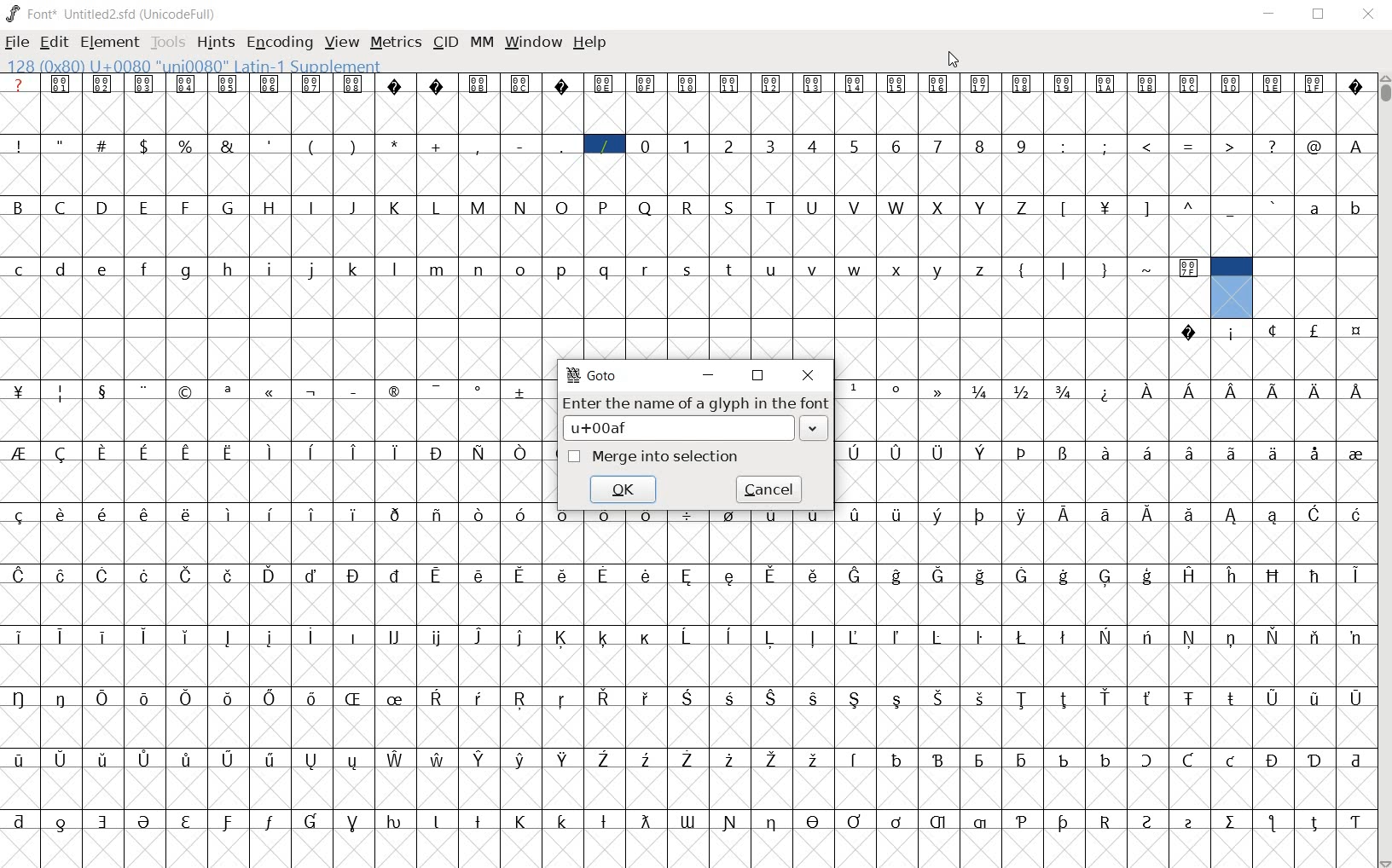 Image resolution: width=1392 pixels, height=868 pixels. What do you see at coordinates (1315, 269) in the screenshot?
I see `empty spaces` at bounding box center [1315, 269].